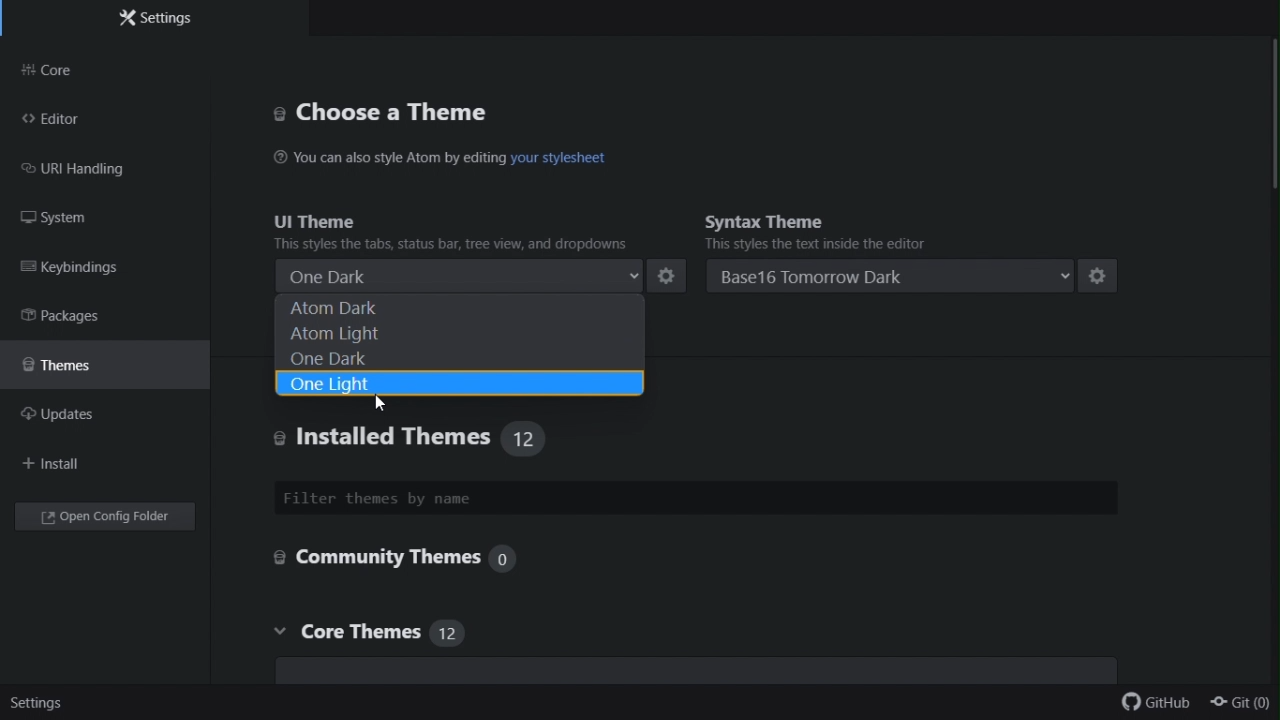 This screenshot has height=720, width=1280. I want to click on System, so click(79, 219).